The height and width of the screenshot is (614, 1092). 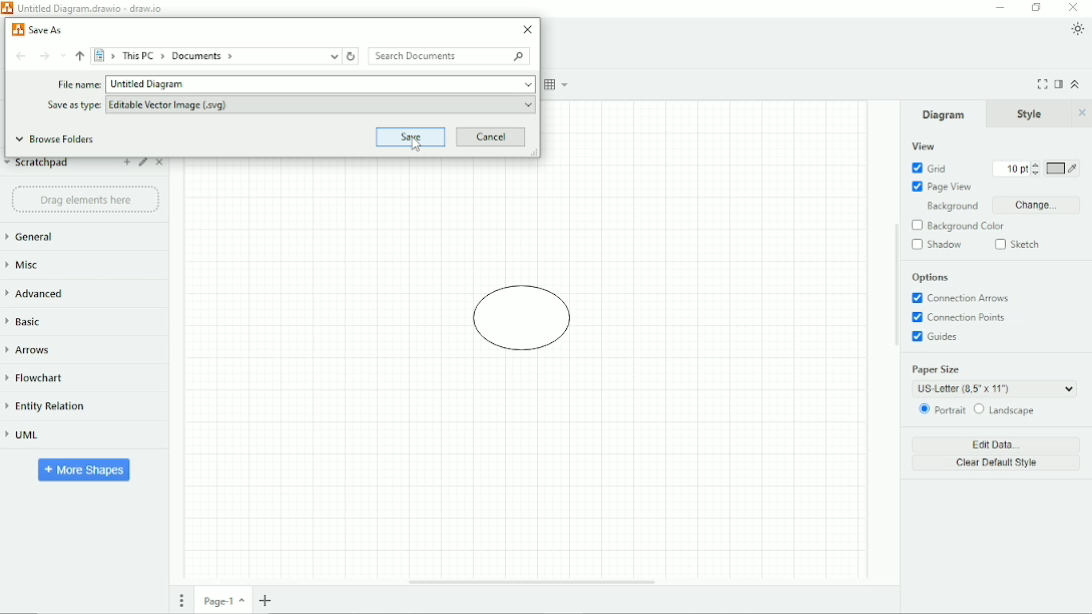 I want to click on Sketch, so click(x=1021, y=245).